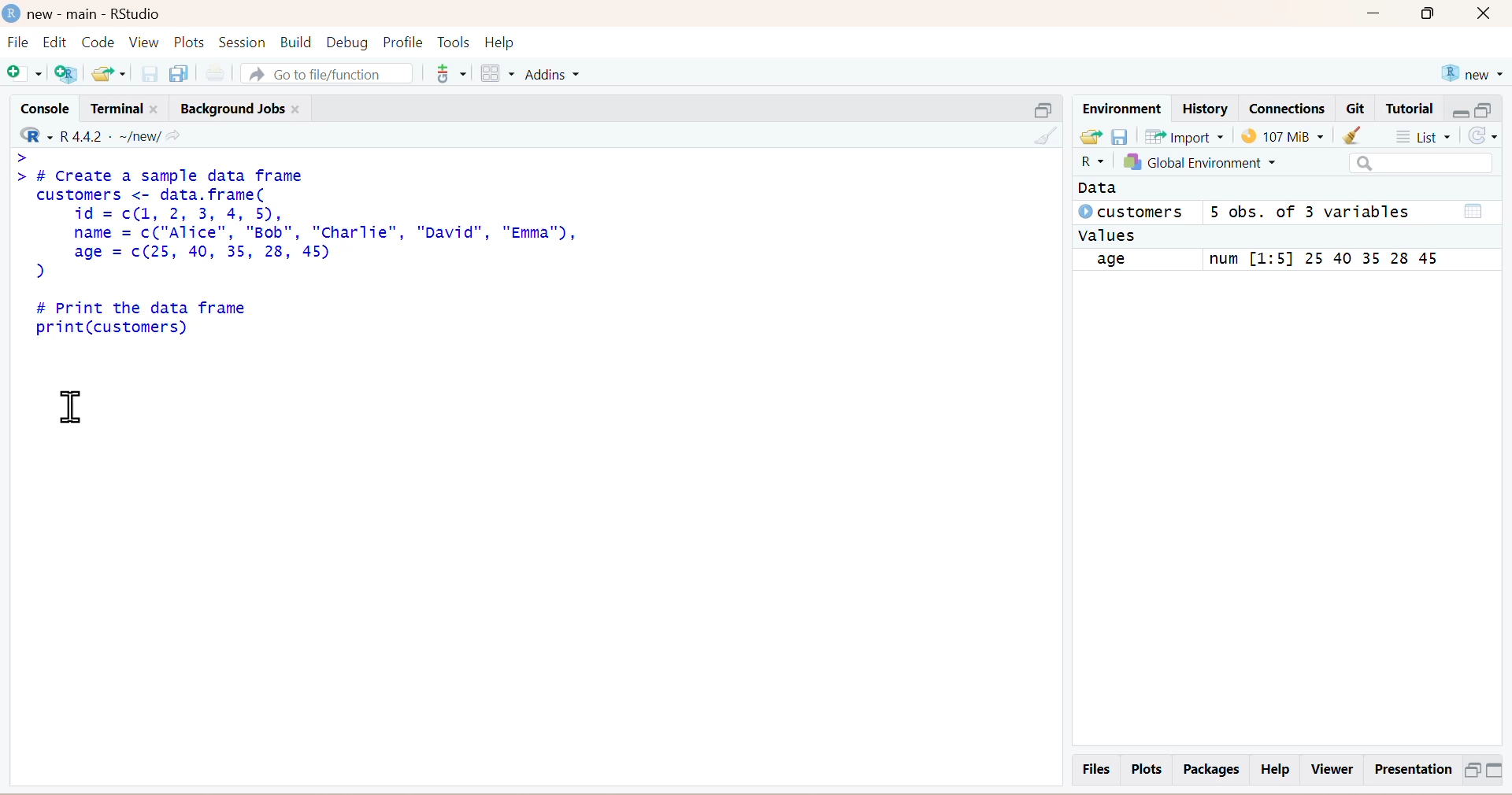  I want to click on Maximize, so click(1471, 769).